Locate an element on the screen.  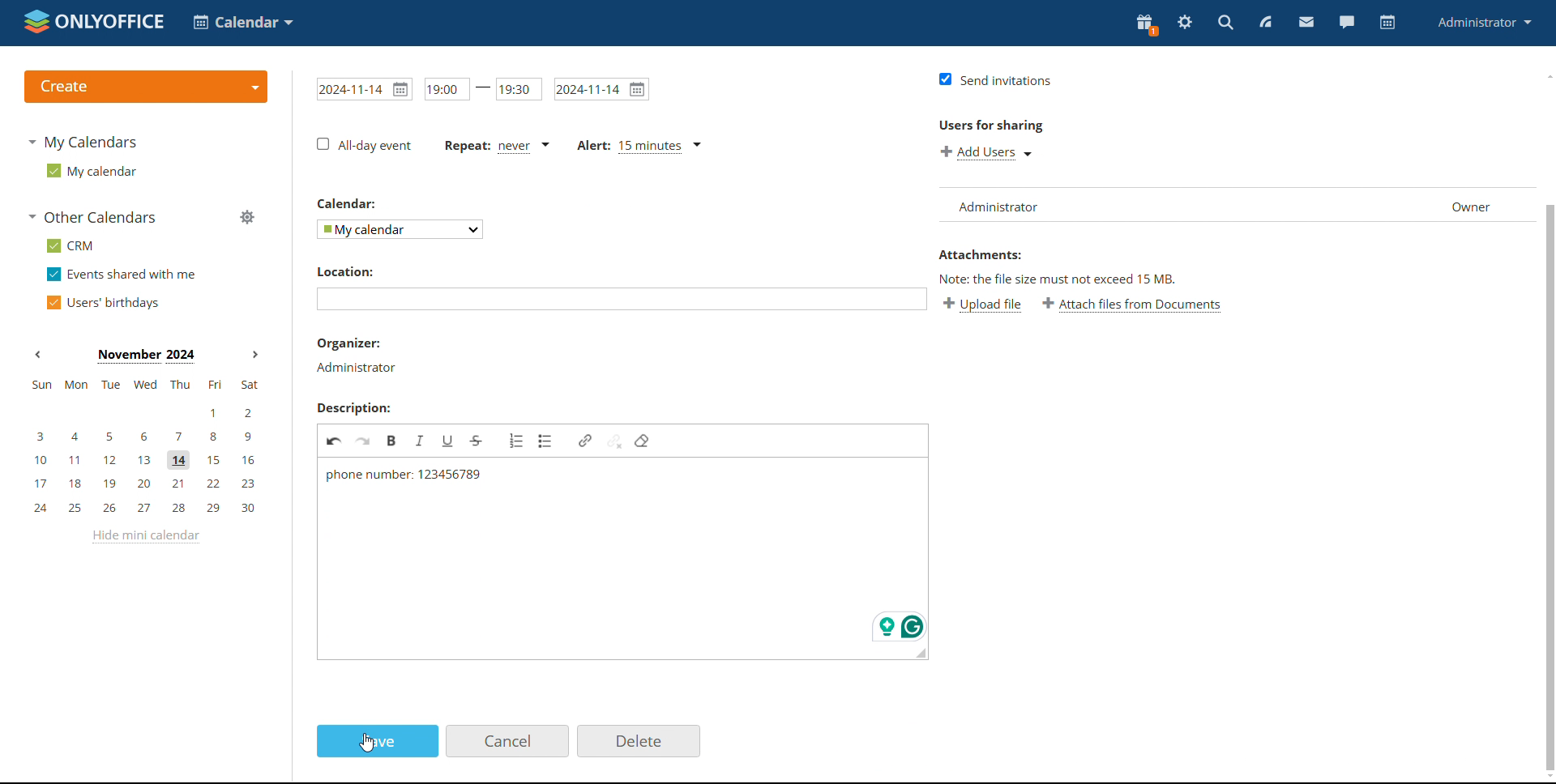
previous month is located at coordinates (38, 356).